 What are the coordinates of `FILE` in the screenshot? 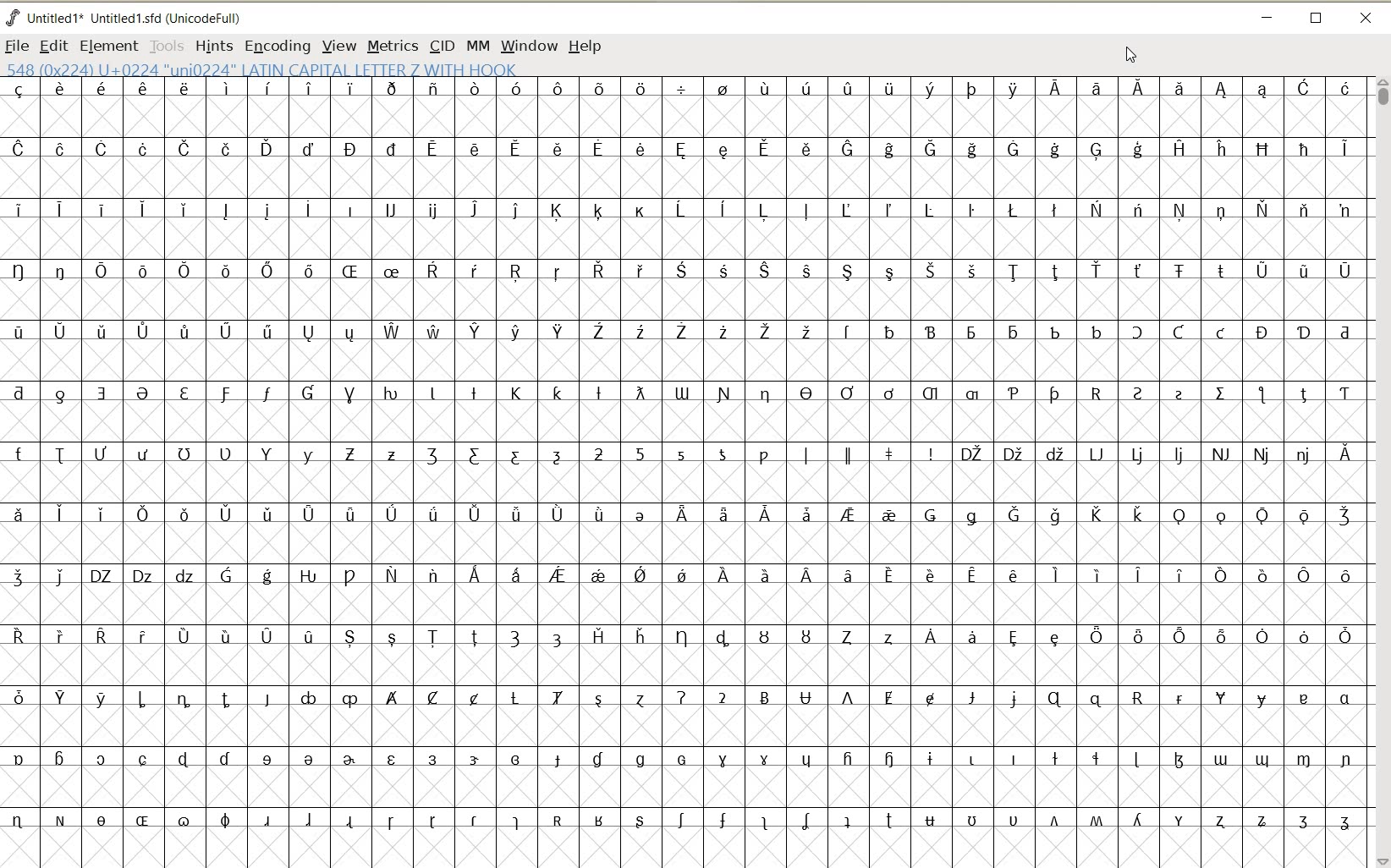 It's located at (18, 45).